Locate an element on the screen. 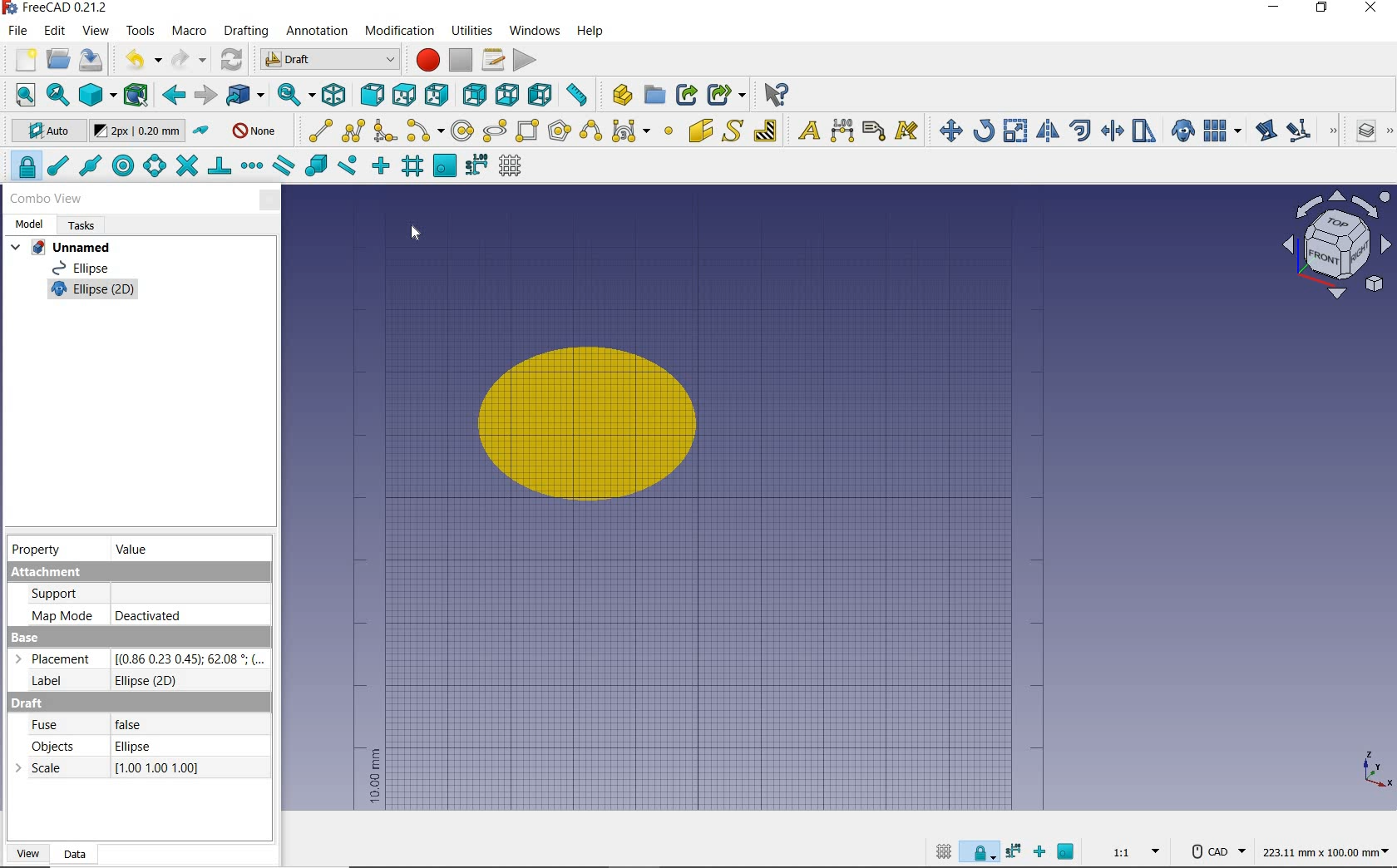  snap dimensions is located at coordinates (476, 167).